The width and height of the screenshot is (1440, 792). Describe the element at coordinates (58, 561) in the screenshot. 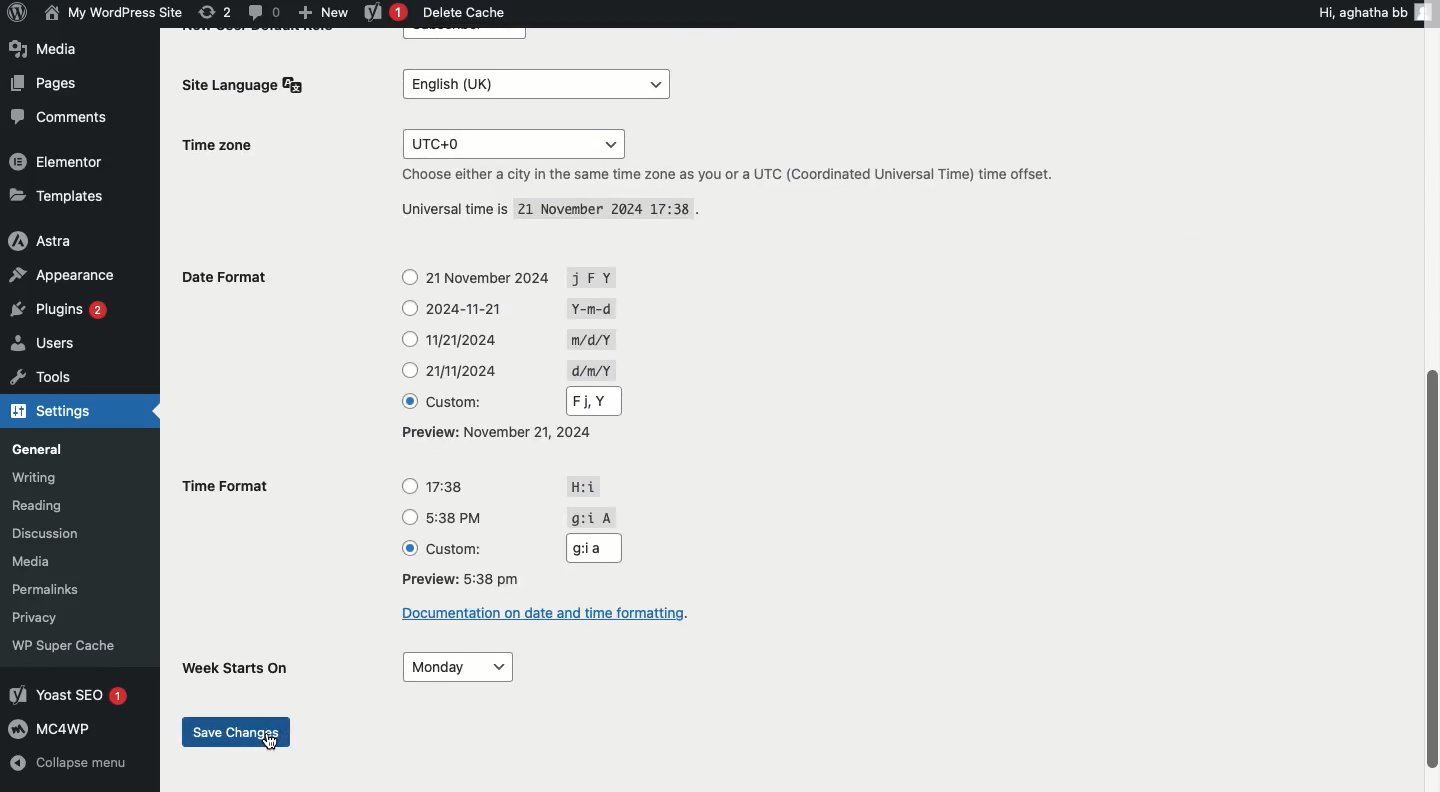

I see `Media` at that location.